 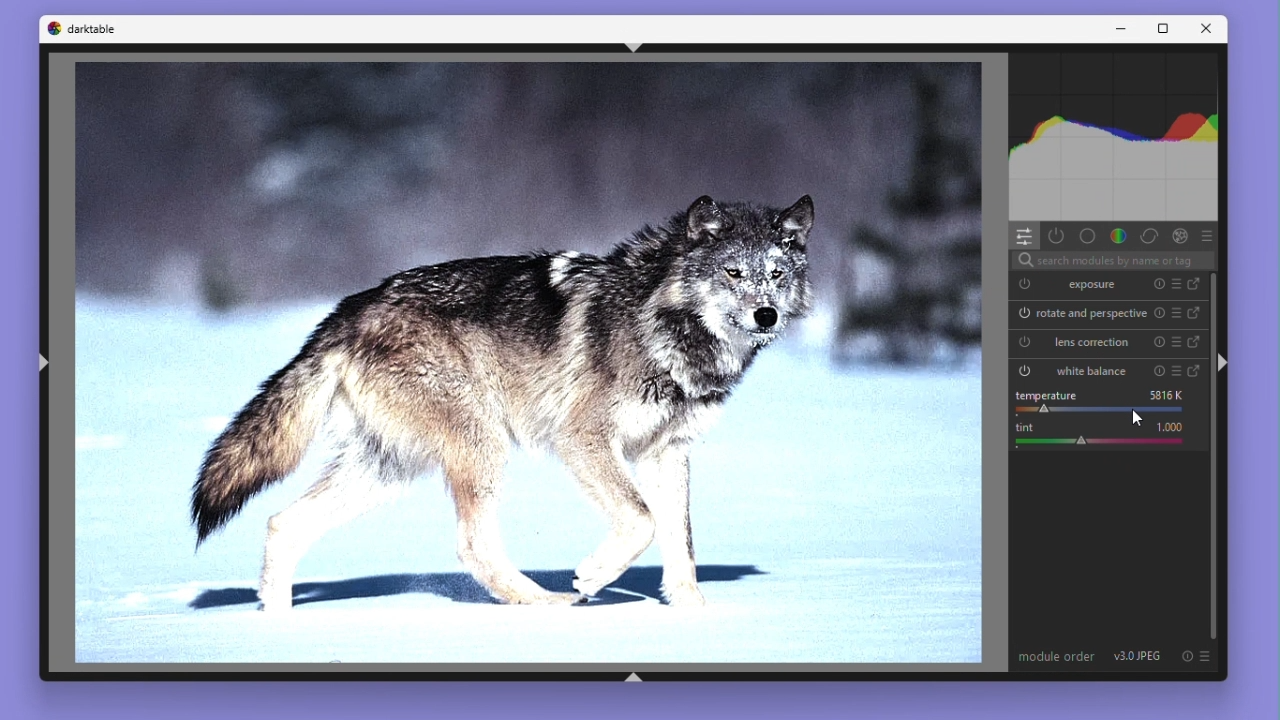 I want to click on Go to full version of exposure module, so click(x=1197, y=284).